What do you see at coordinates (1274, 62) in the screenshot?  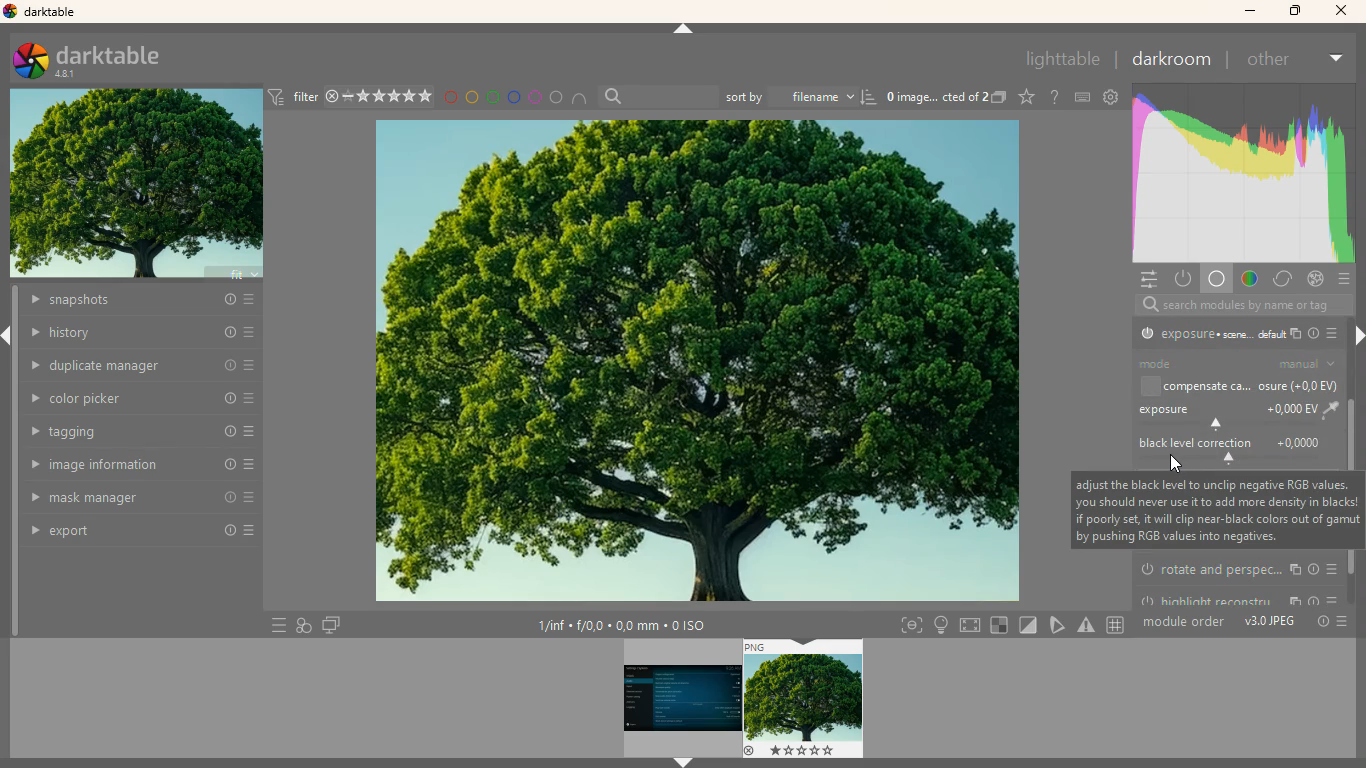 I see `other` at bounding box center [1274, 62].